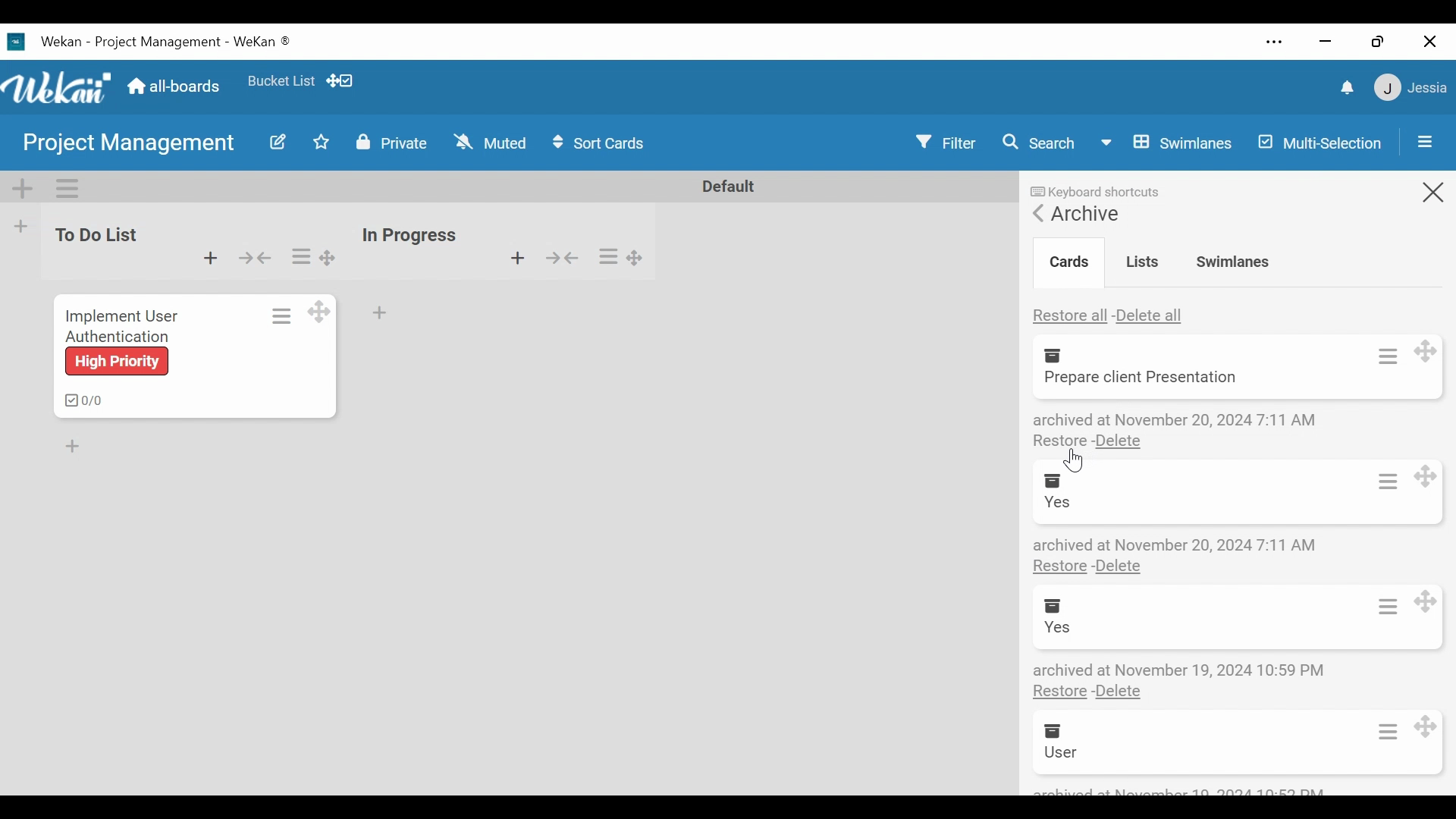 The width and height of the screenshot is (1456, 819). I want to click on Open/Close Sidebar, so click(1423, 142).